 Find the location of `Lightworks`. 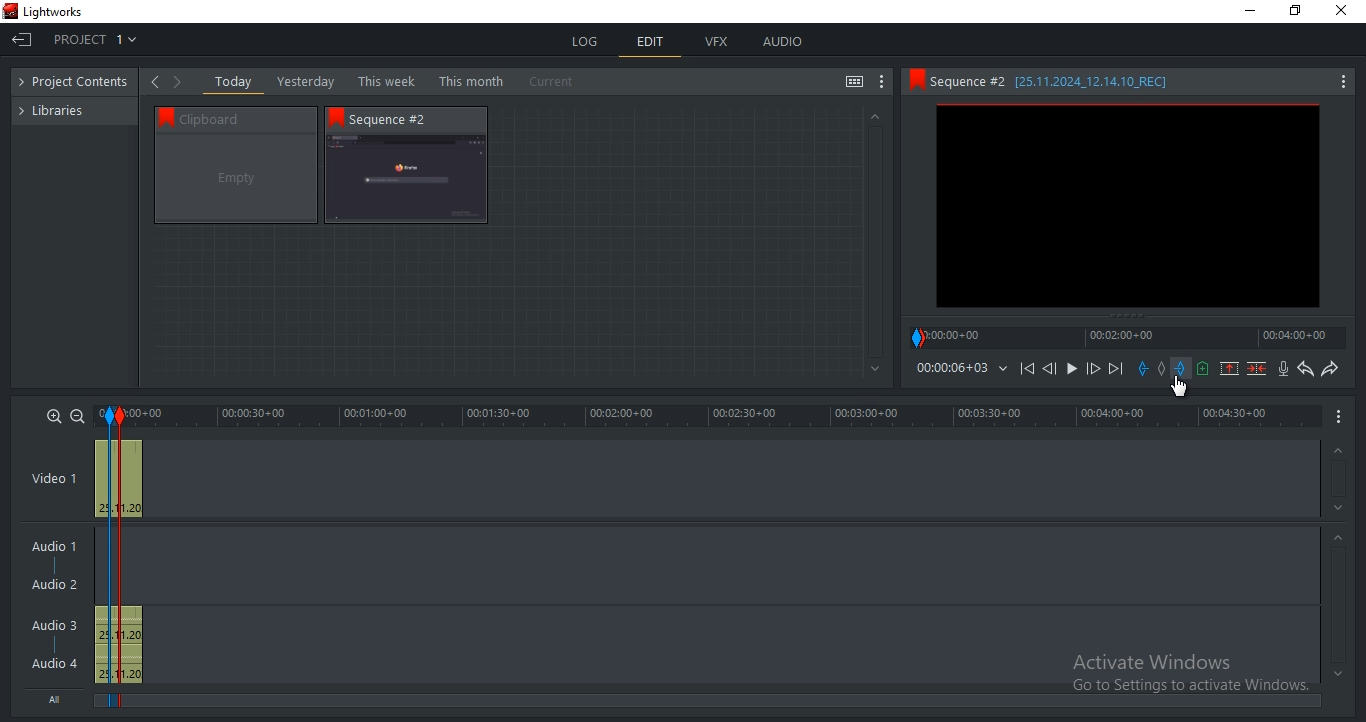

Lightworks is located at coordinates (54, 12).